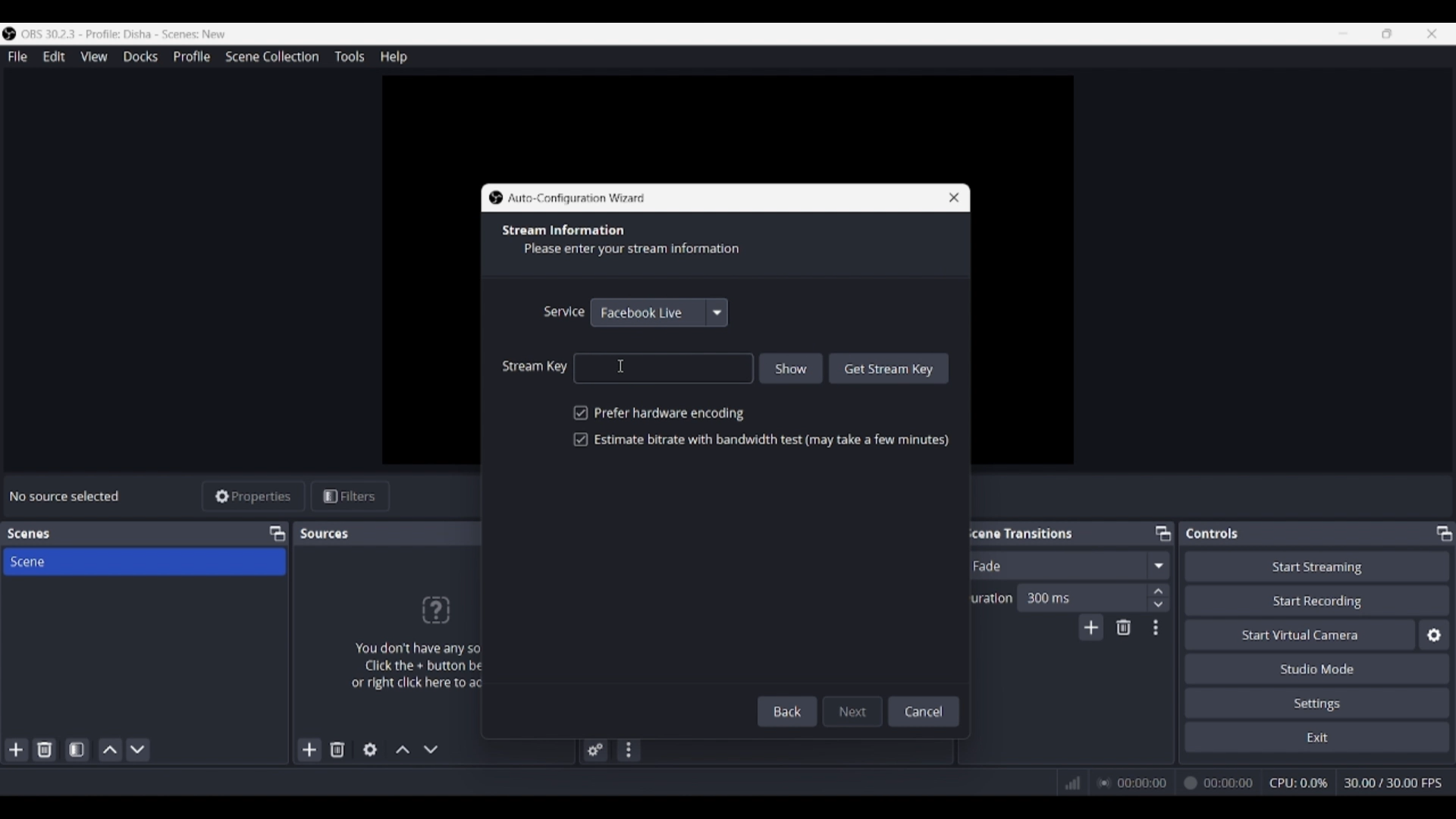 This screenshot has height=819, width=1456. Describe the element at coordinates (1159, 597) in the screenshot. I see `Increase/Decrease duration` at that location.